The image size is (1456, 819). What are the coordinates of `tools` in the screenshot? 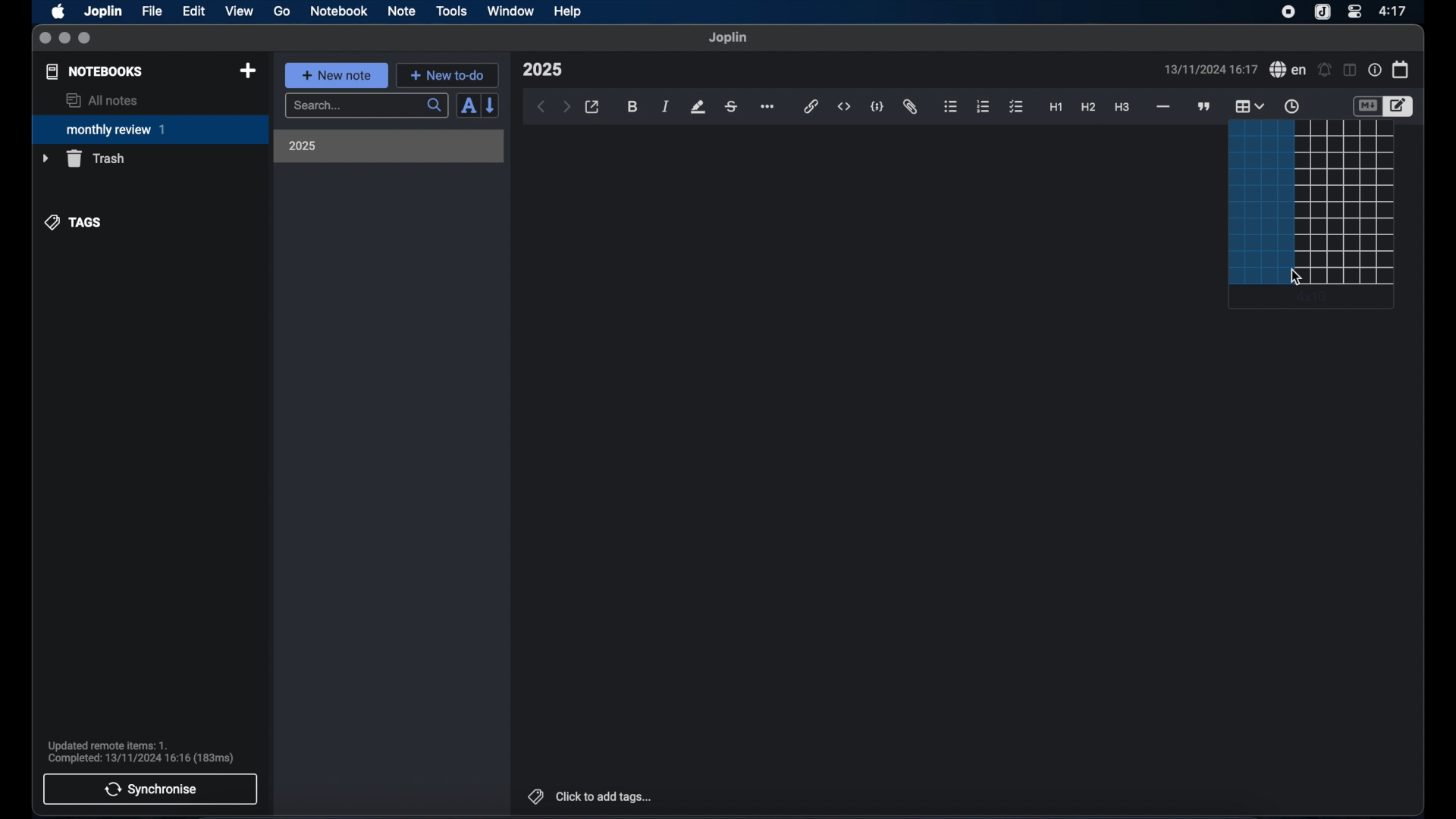 It's located at (451, 11).